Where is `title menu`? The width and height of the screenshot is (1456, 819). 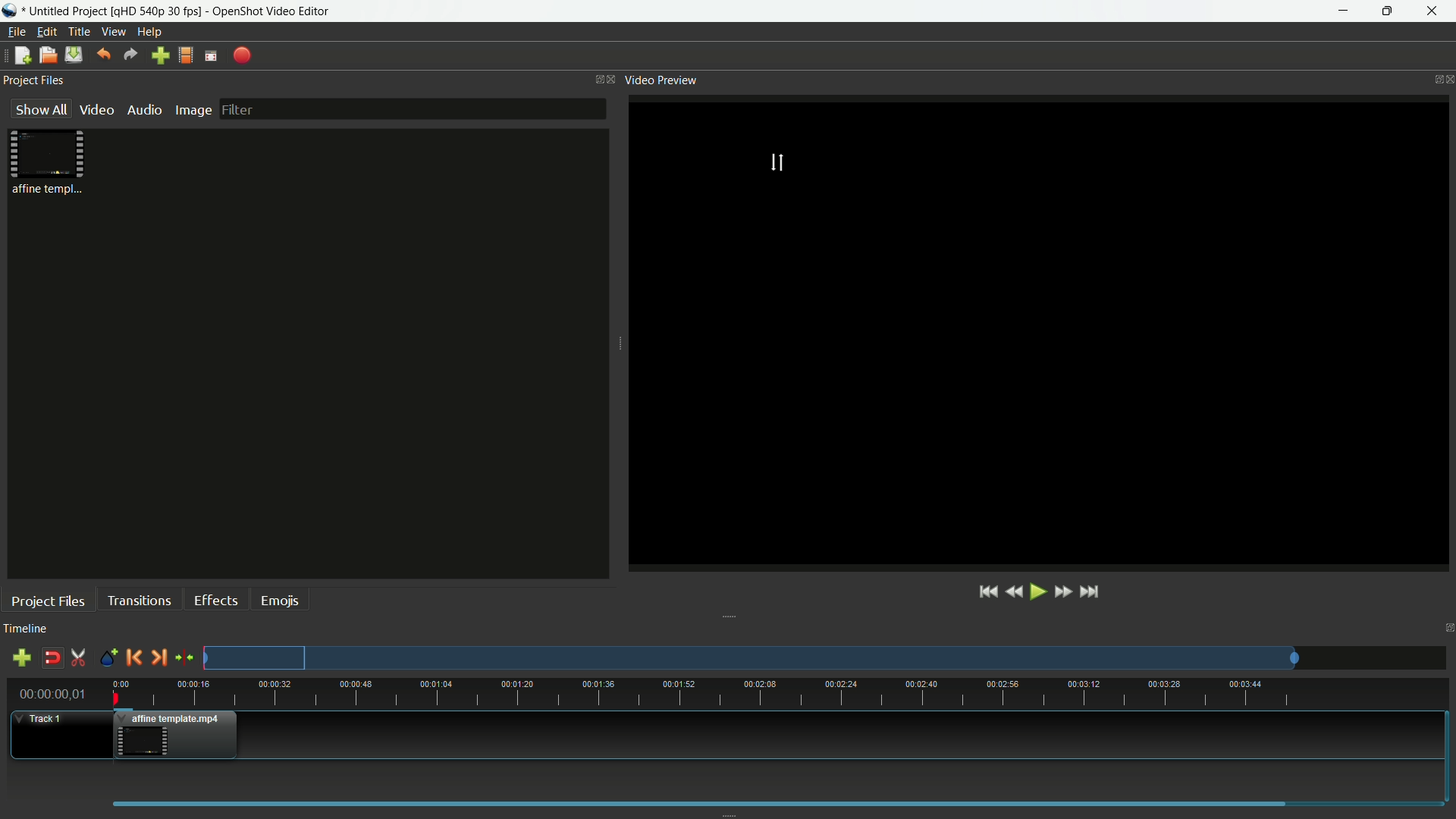 title menu is located at coordinates (81, 32).